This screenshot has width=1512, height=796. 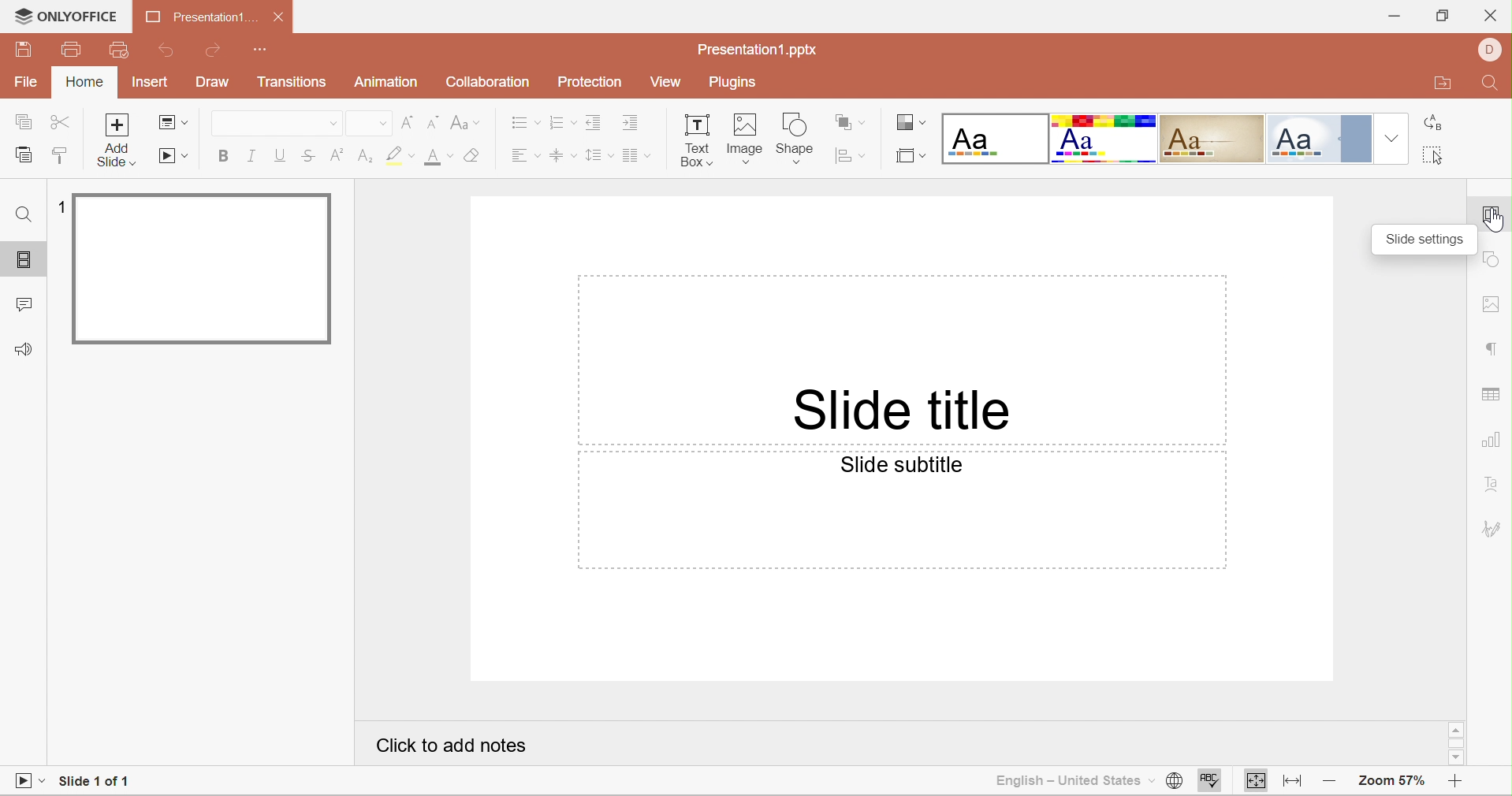 What do you see at coordinates (693, 139) in the screenshot?
I see `Text Box` at bounding box center [693, 139].